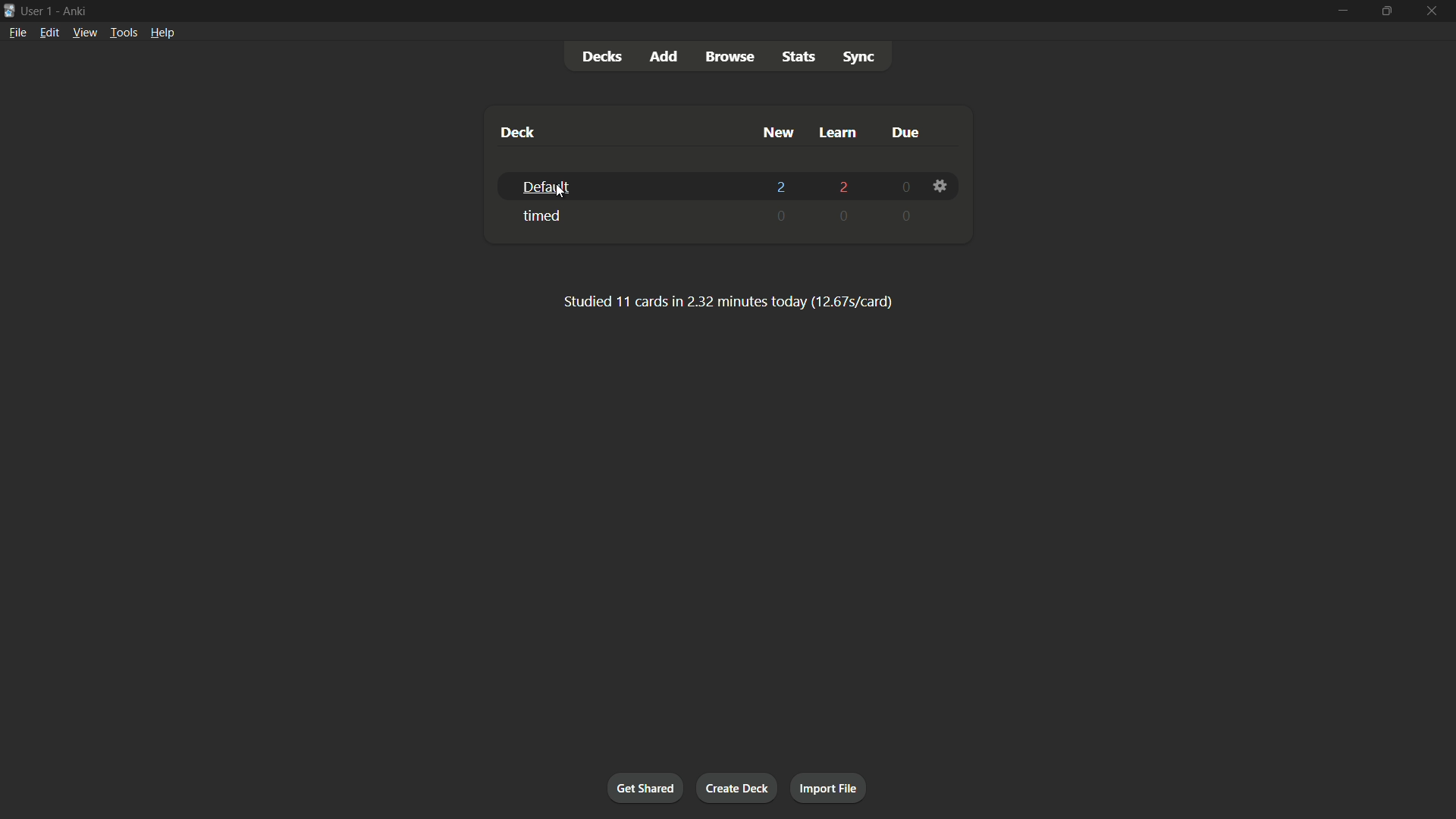  Describe the element at coordinates (1433, 11) in the screenshot. I see `close app` at that location.